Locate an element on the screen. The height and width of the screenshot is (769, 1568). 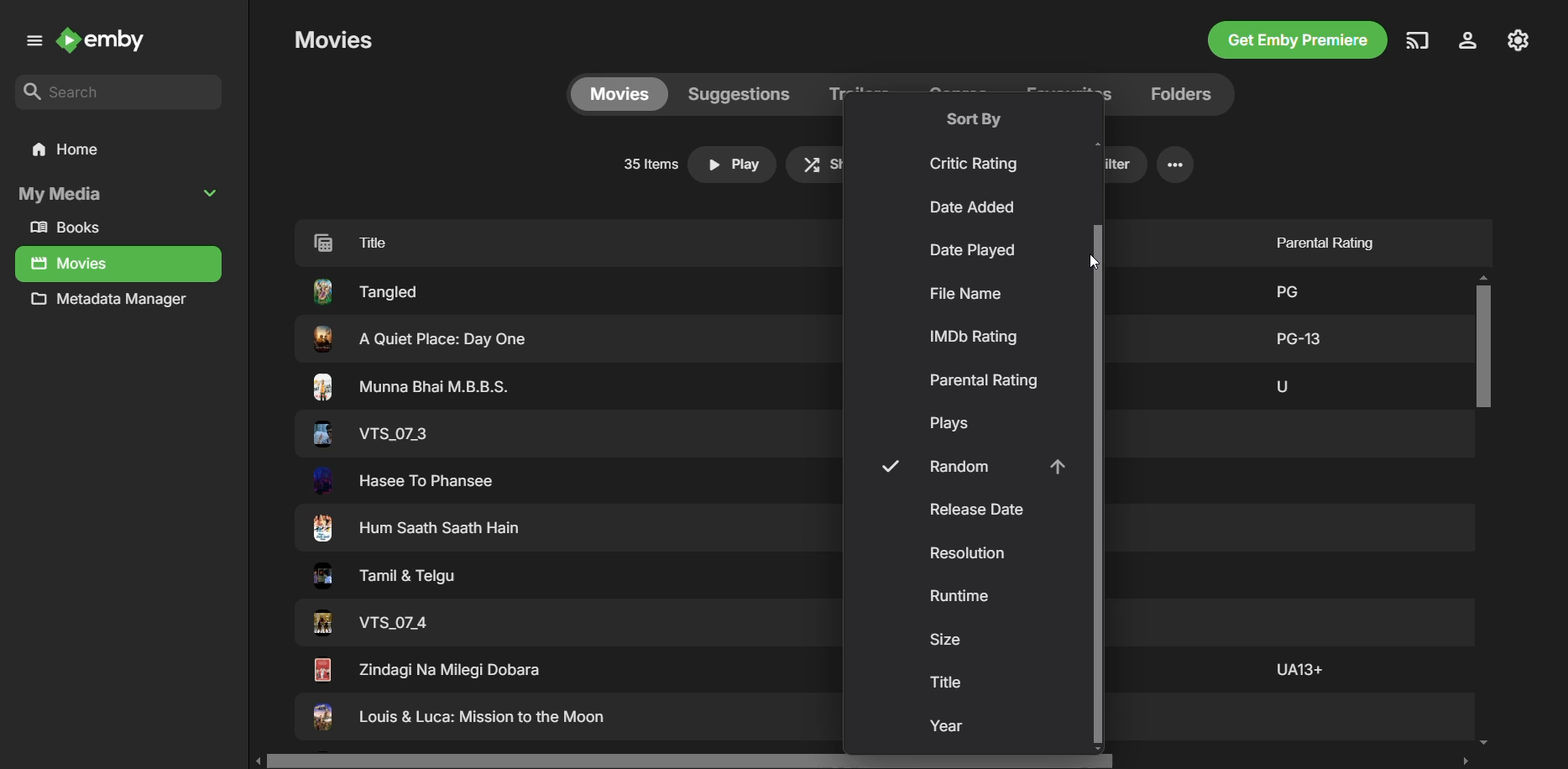
Release Date is located at coordinates (975, 510).